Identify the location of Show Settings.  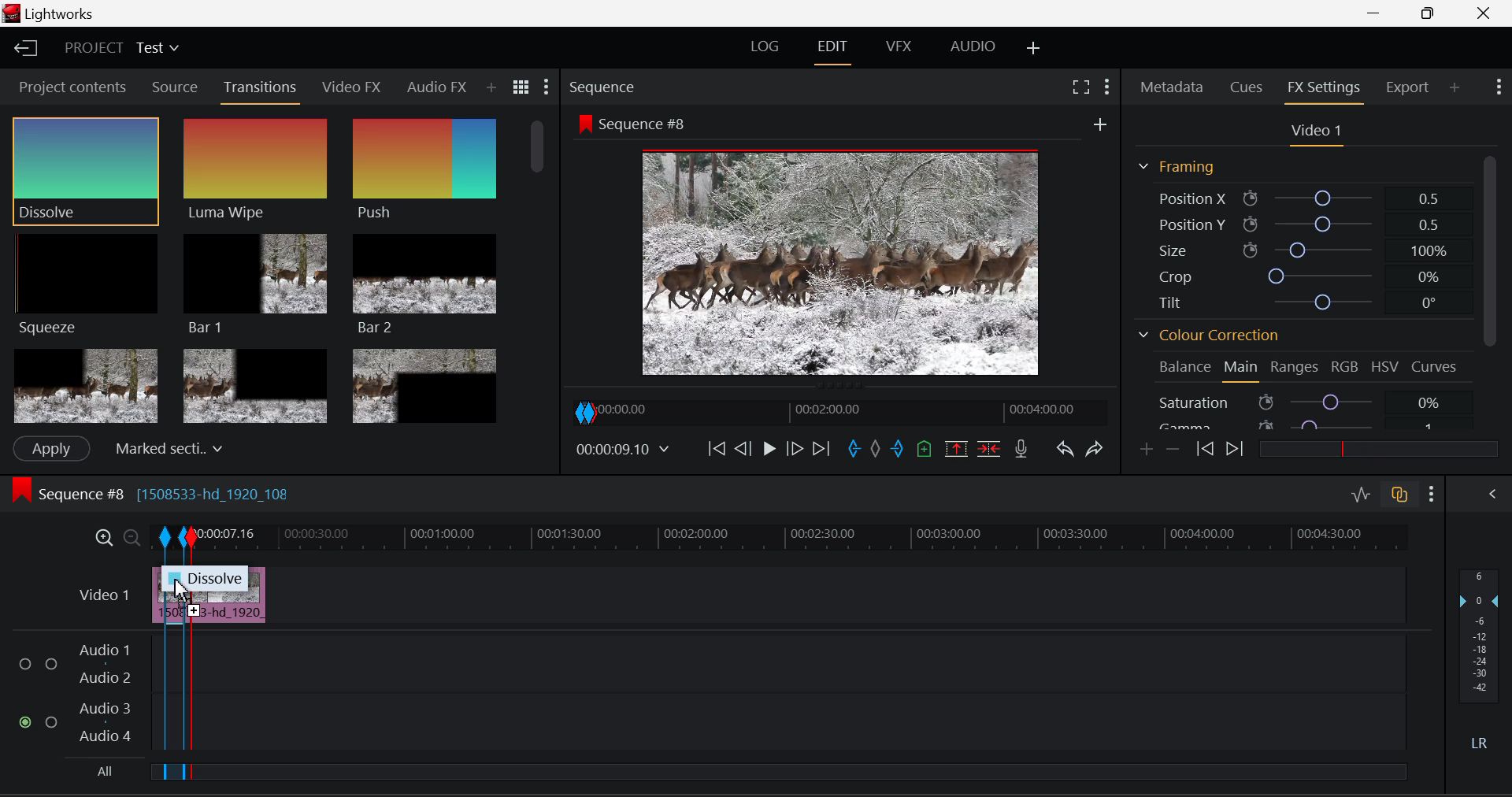
(1107, 87).